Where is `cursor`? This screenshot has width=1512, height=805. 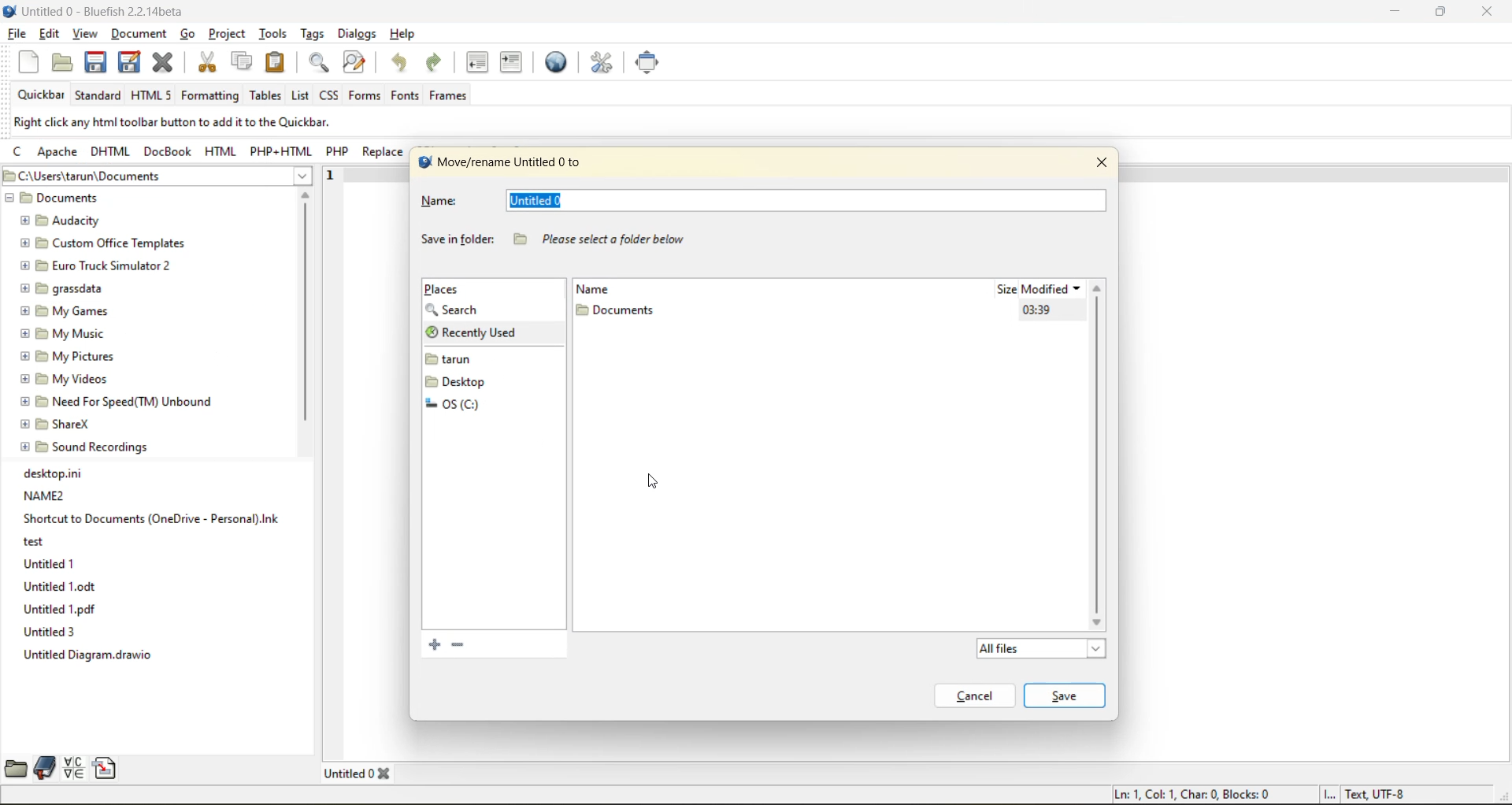
cursor is located at coordinates (654, 483).